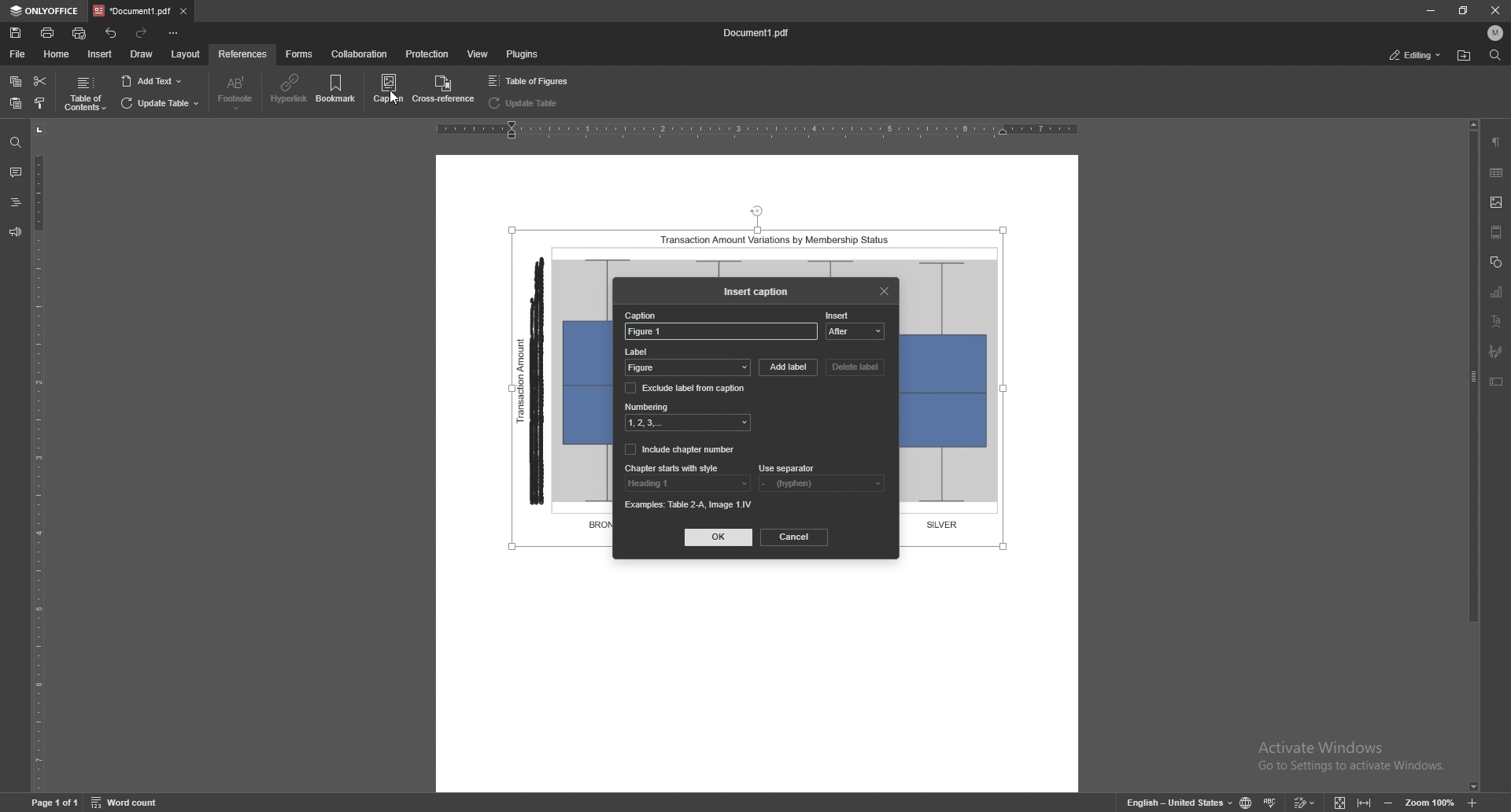  Describe the element at coordinates (1430, 801) in the screenshot. I see `zoom` at that location.